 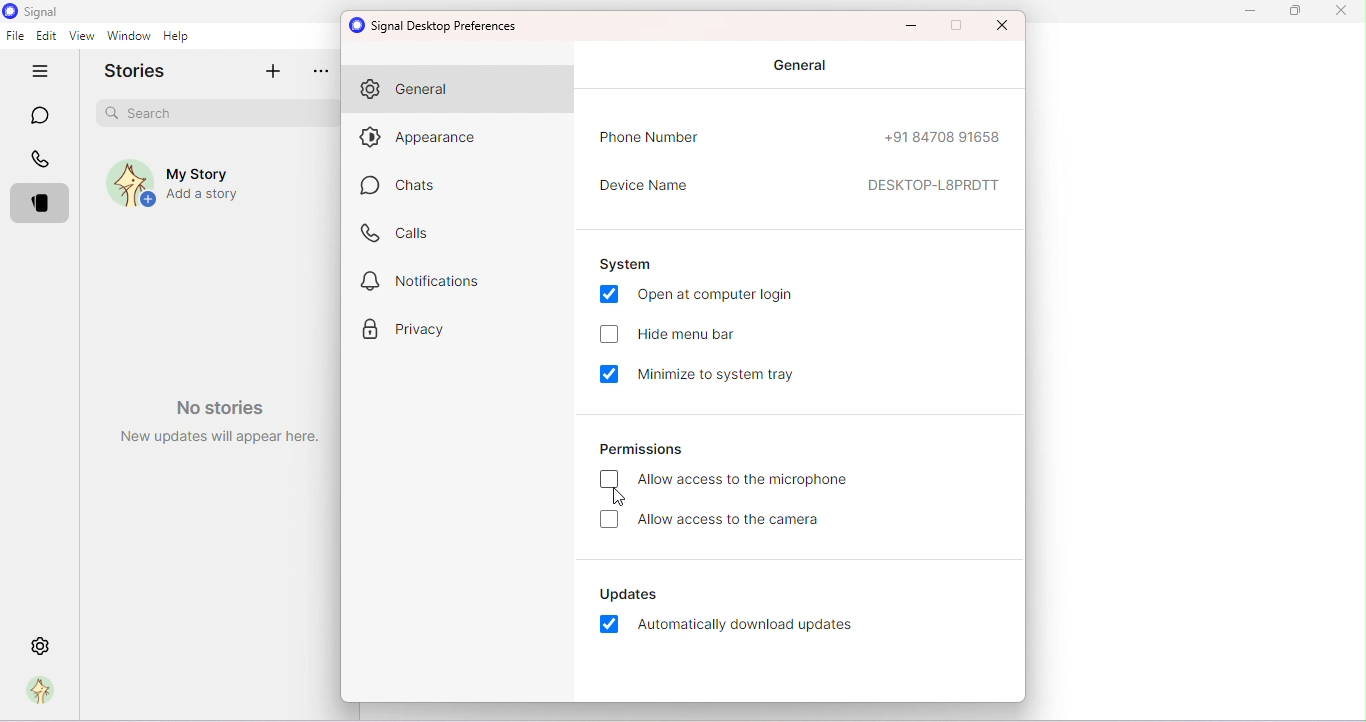 What do you see at coordinates (800, 66) in the screenshot?
I see `General` at bounding box center [800, 66].